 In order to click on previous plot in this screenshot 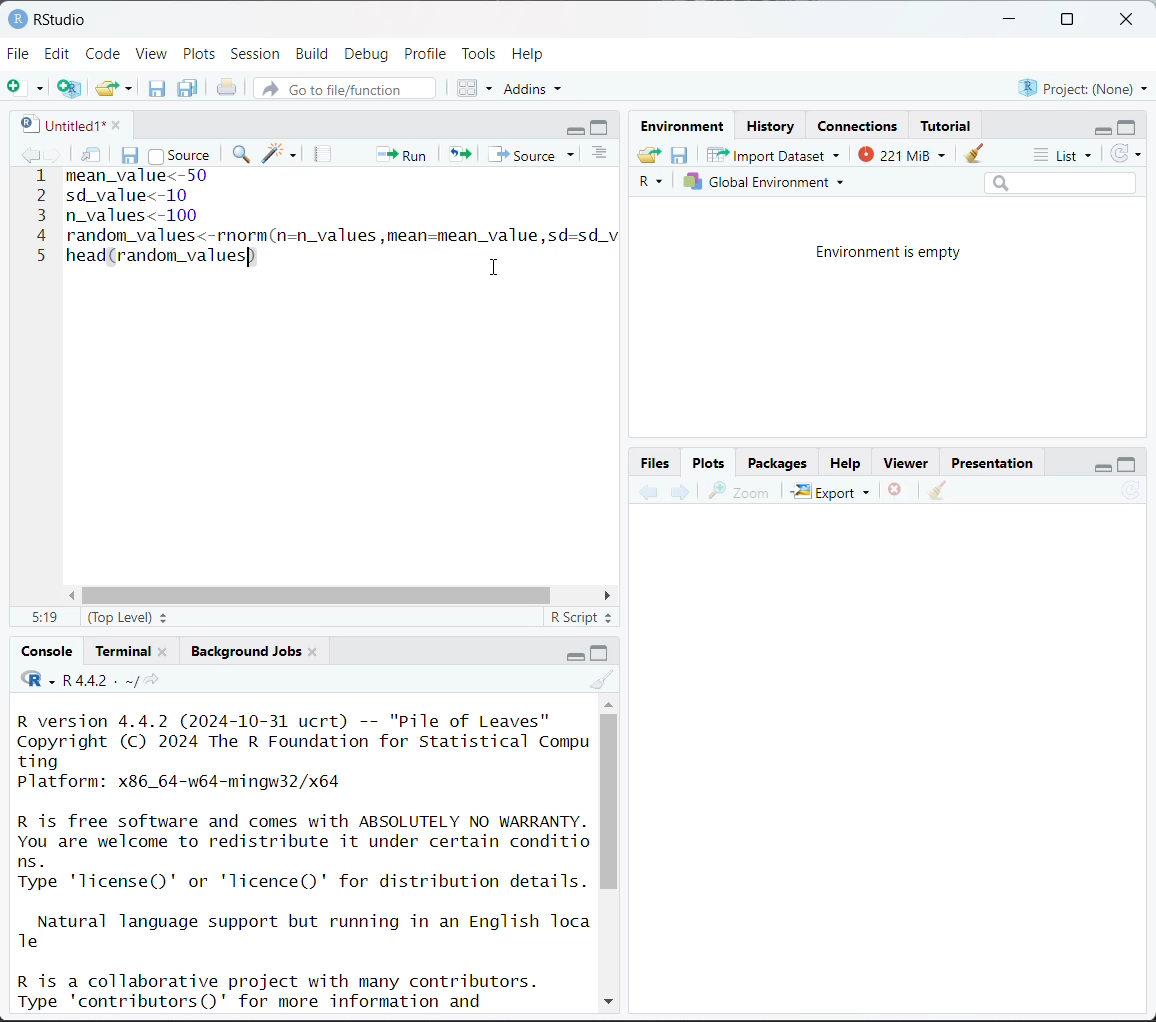, I will do `click(649, 493)`.